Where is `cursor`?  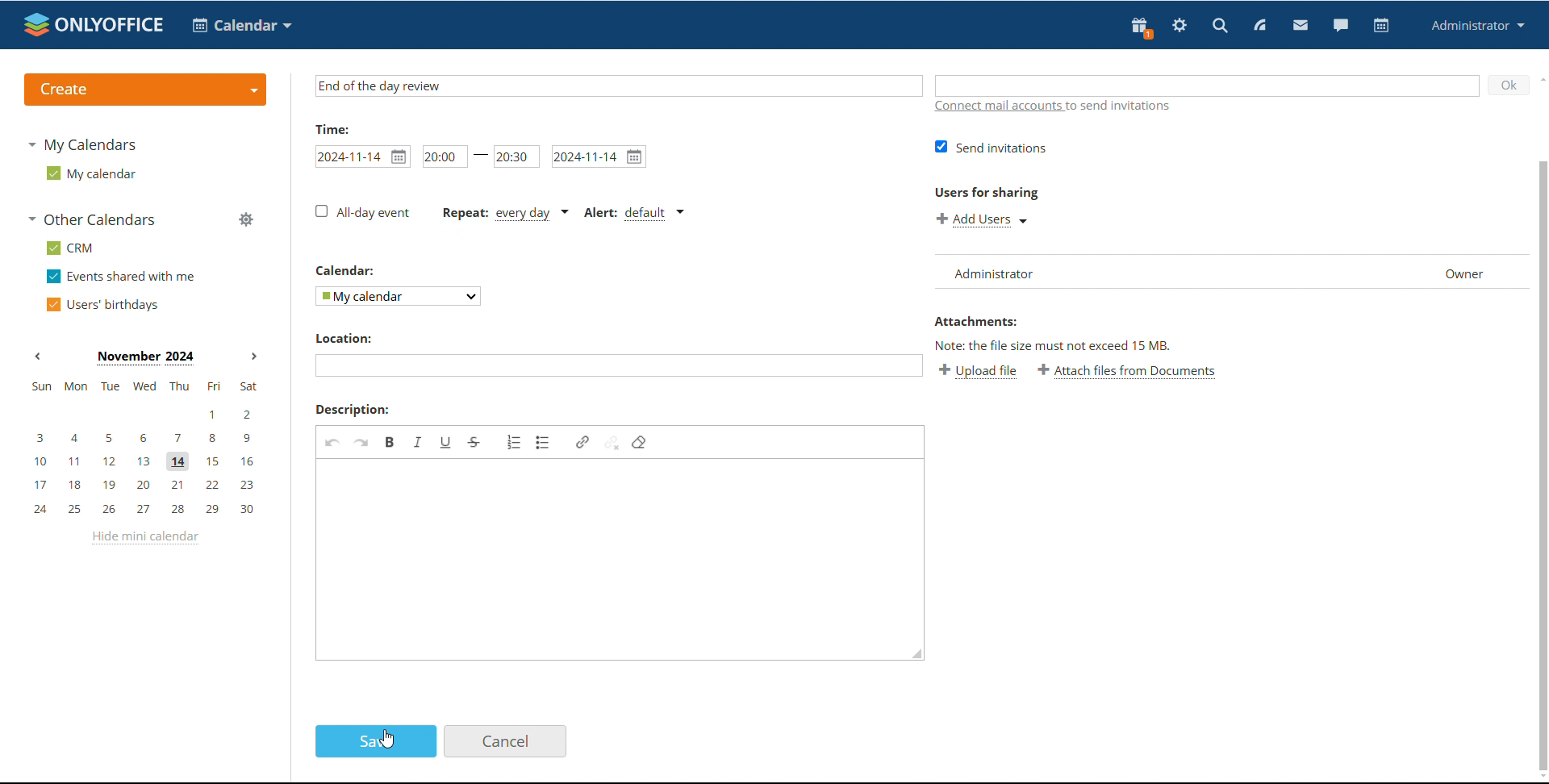
cursor is located at coordinates (387, 739).